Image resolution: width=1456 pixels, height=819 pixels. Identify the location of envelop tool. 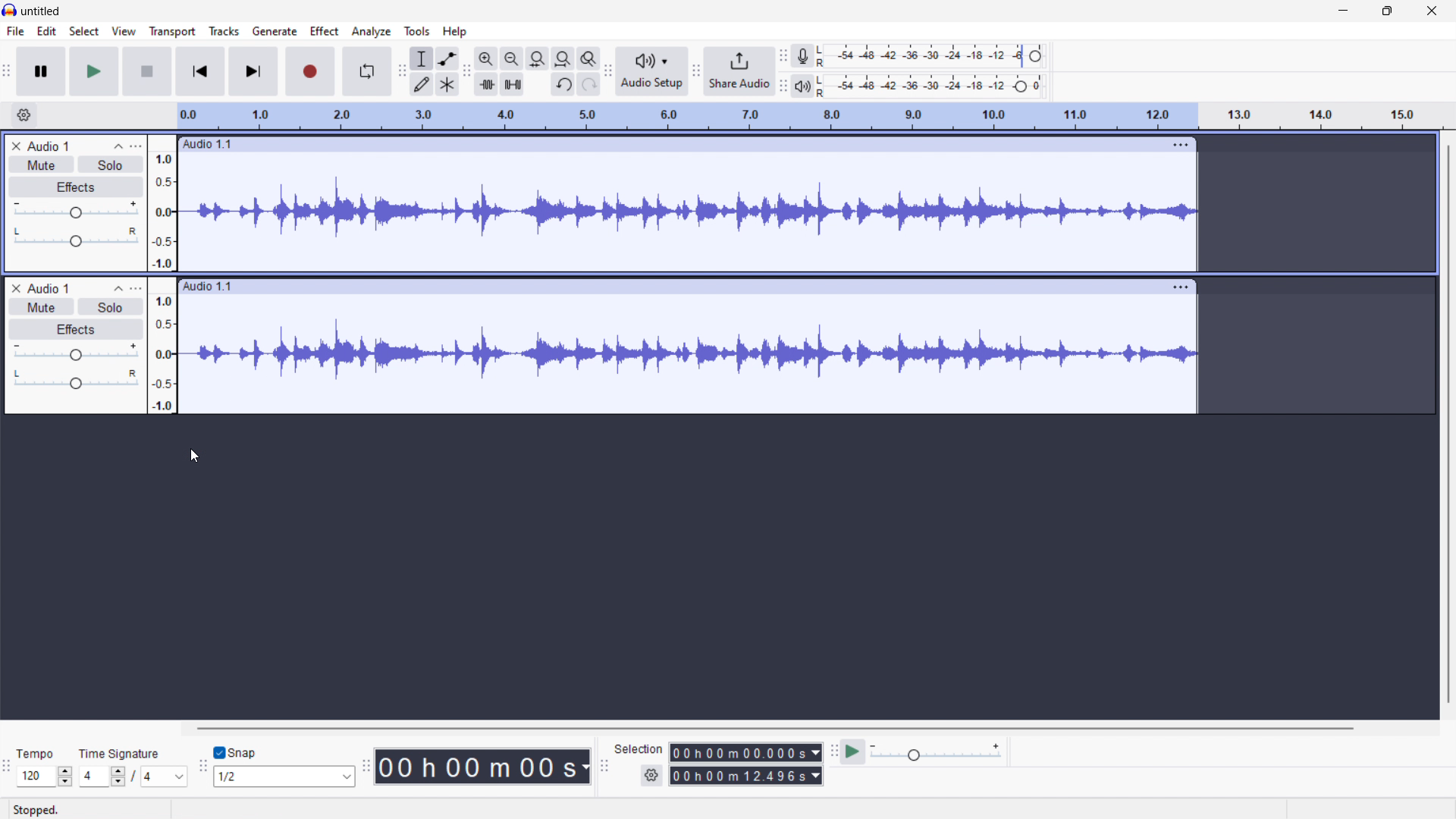
(447, 58).